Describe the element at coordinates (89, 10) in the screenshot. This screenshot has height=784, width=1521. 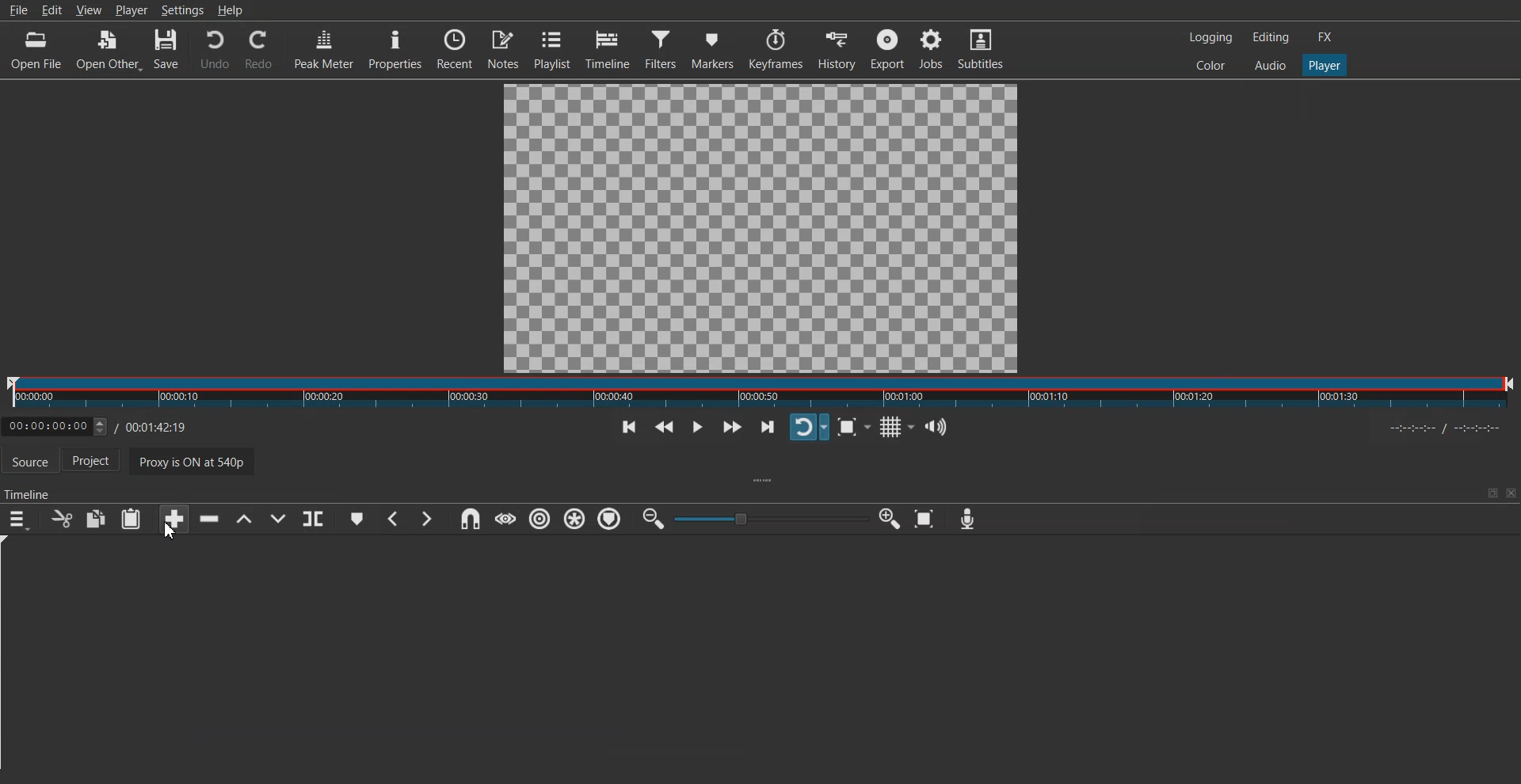
I see `View` at that location.